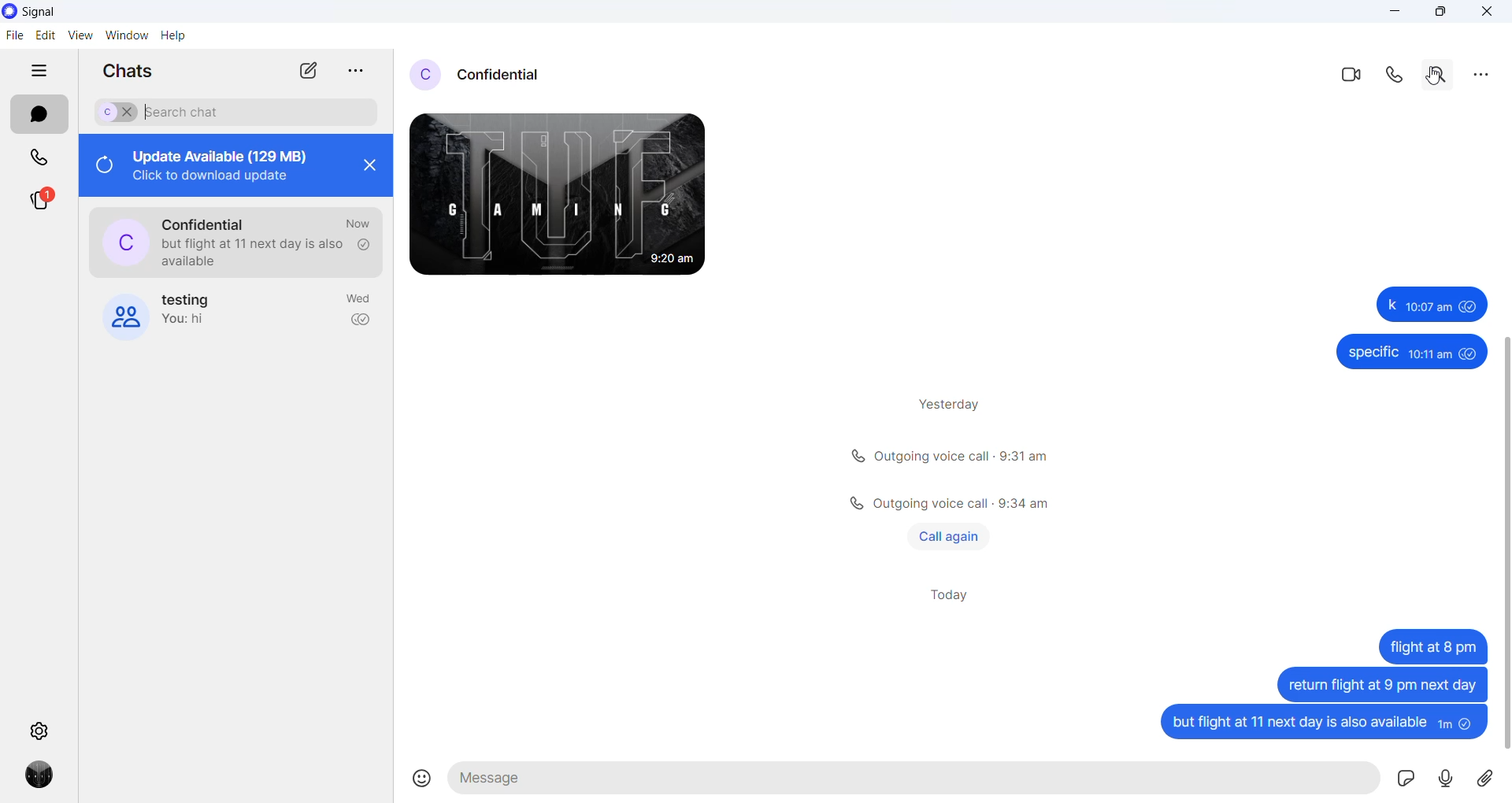  What do you see at coordinates (124, 315) in the screenshot?
I see `group cover photo` at bounding box center [124, 315].